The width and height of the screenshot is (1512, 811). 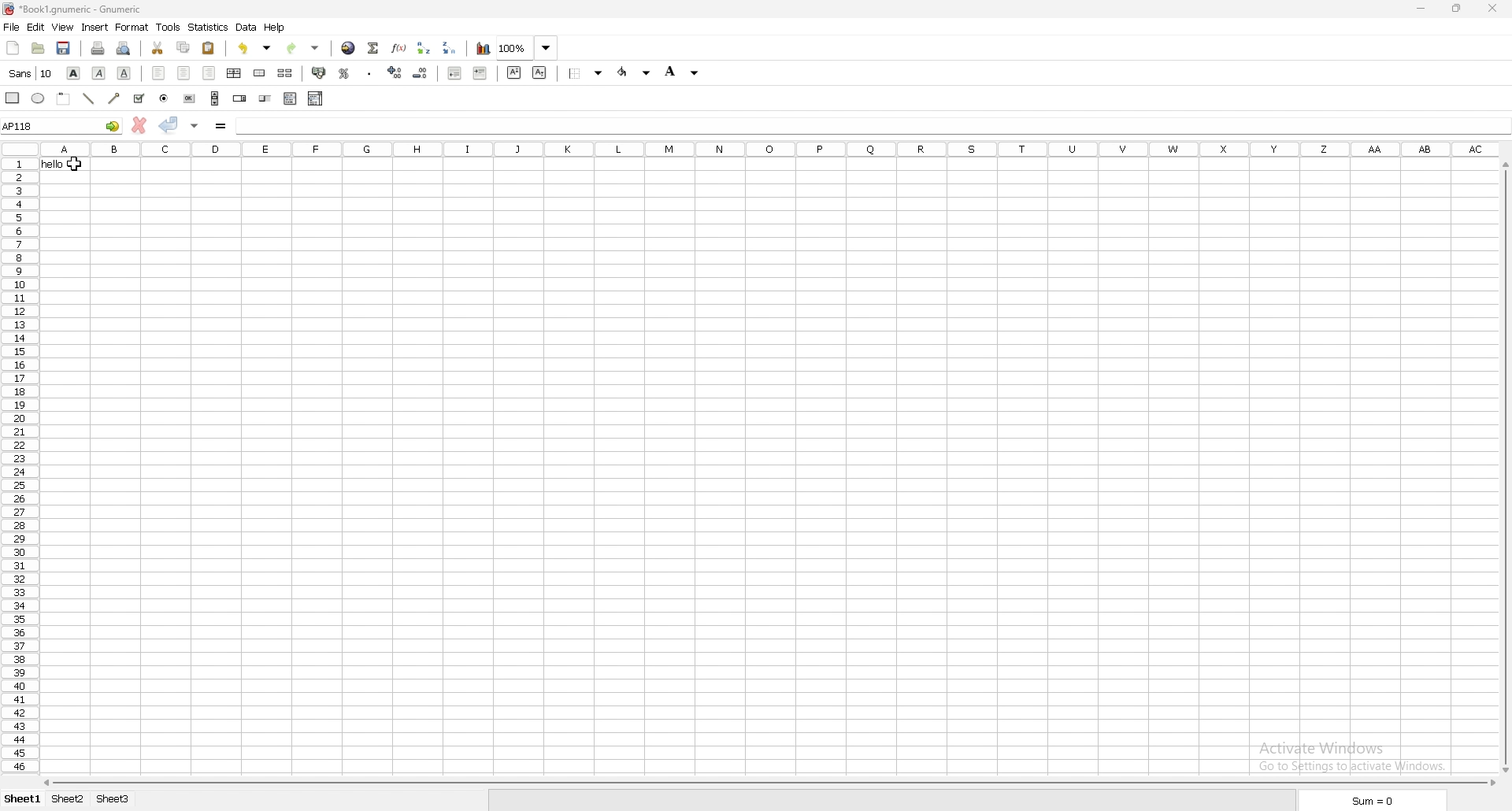 I want to click on border, so click(x=587, y=72).